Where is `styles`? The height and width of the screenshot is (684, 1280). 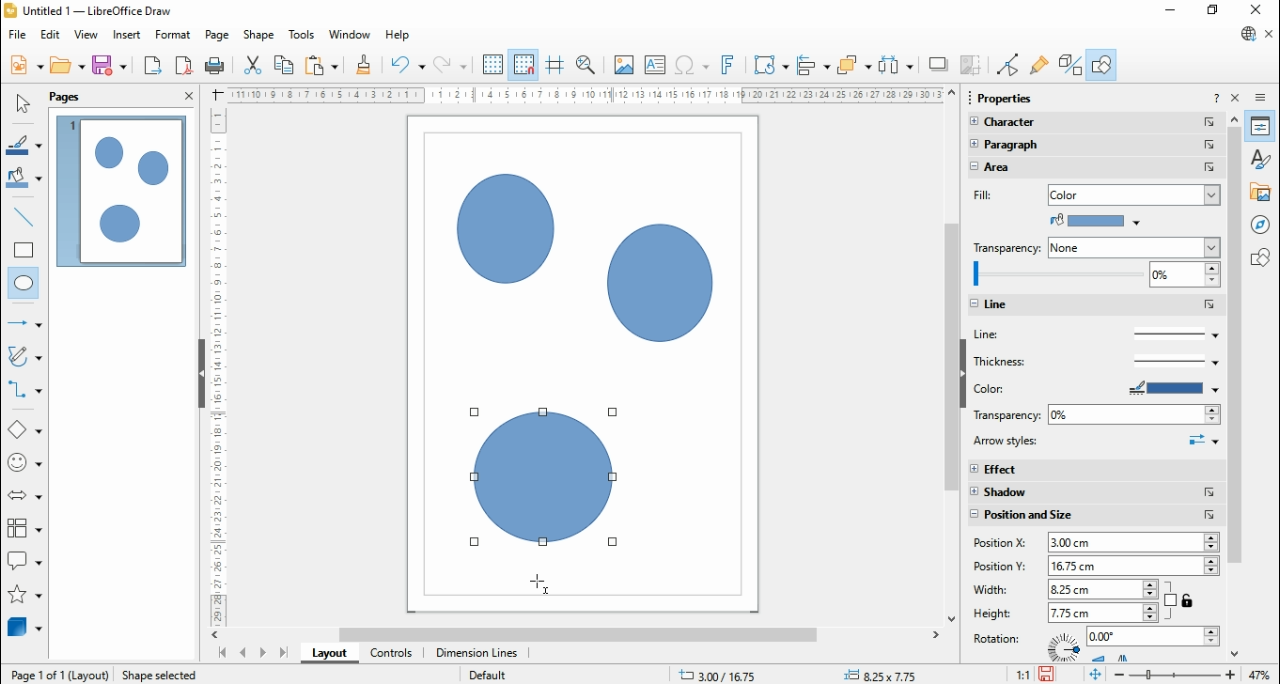
styles is located at coordinates (1262, 157).